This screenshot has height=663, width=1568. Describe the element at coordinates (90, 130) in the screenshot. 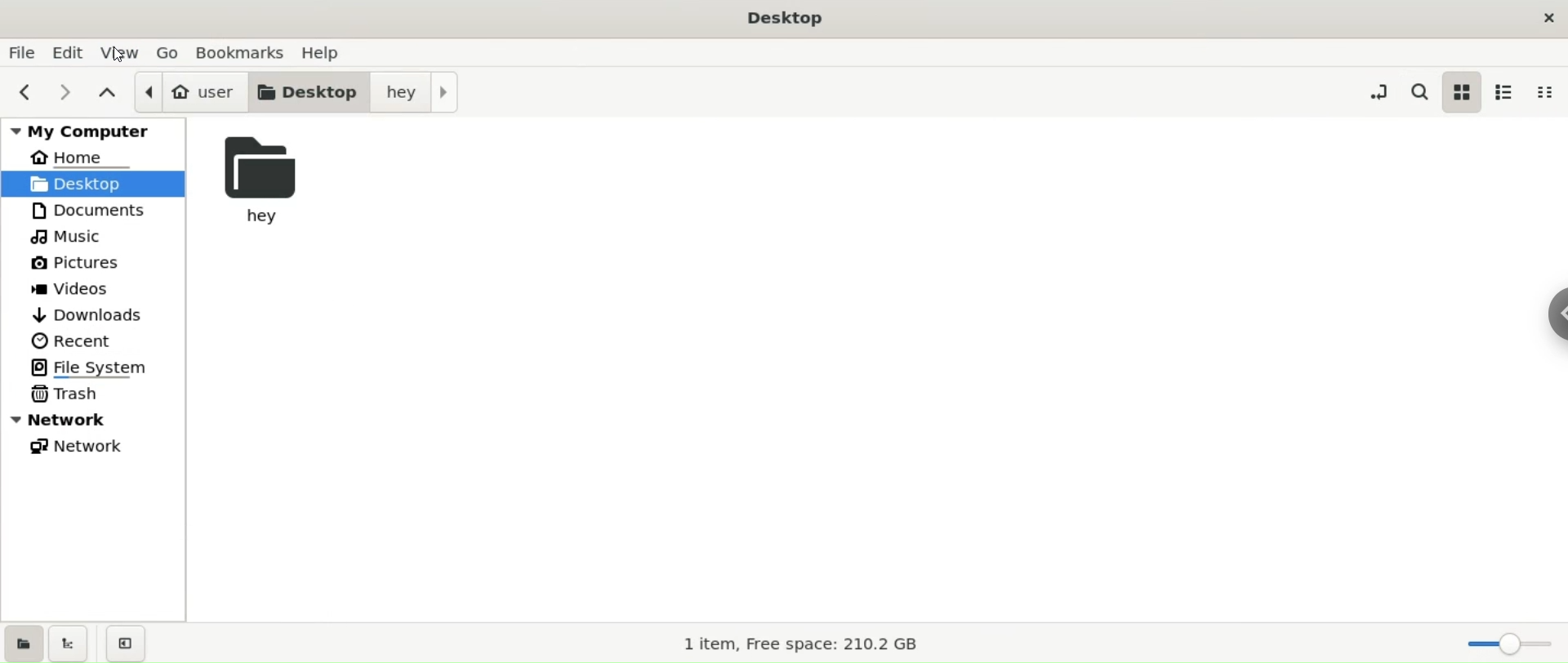

I see `my computer` at that location.